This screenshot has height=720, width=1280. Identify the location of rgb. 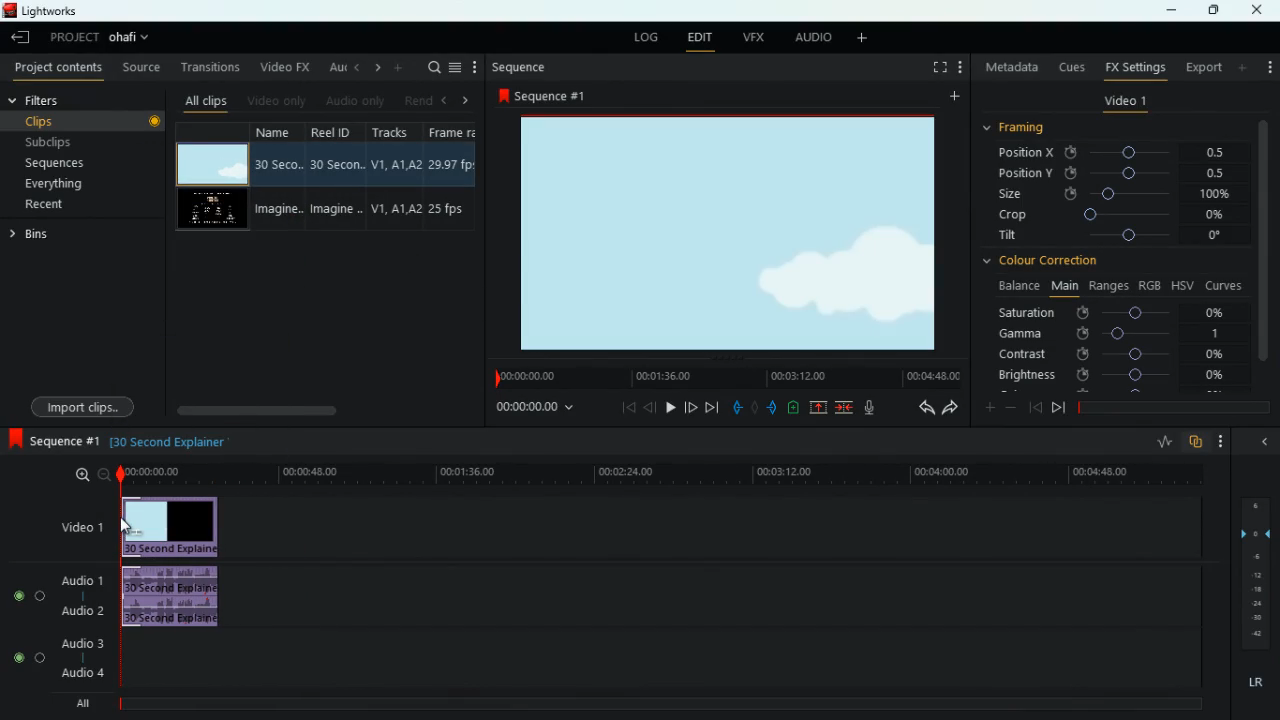
(1151, 284).